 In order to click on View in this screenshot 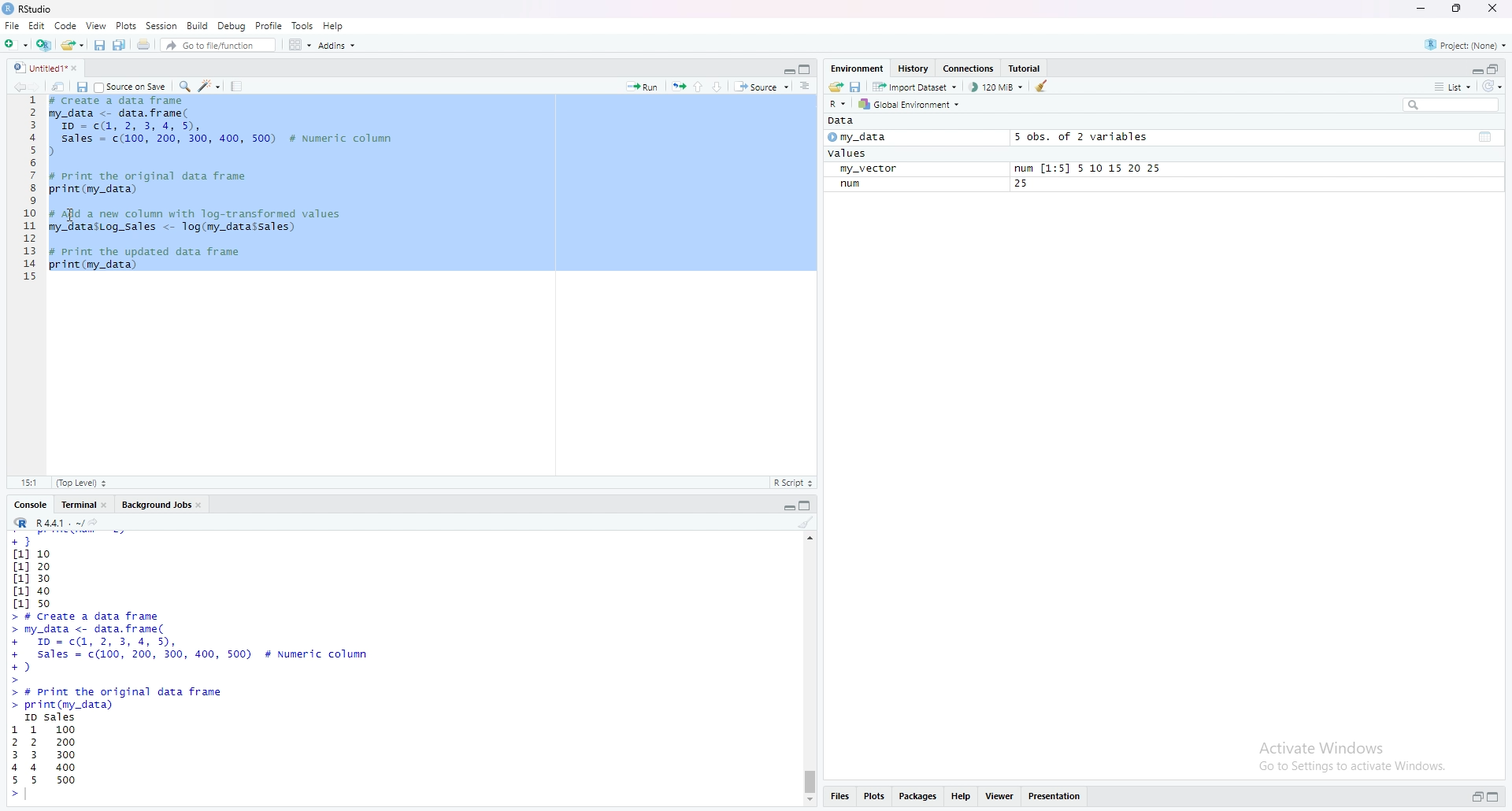, I will do `click(94, 27)`.